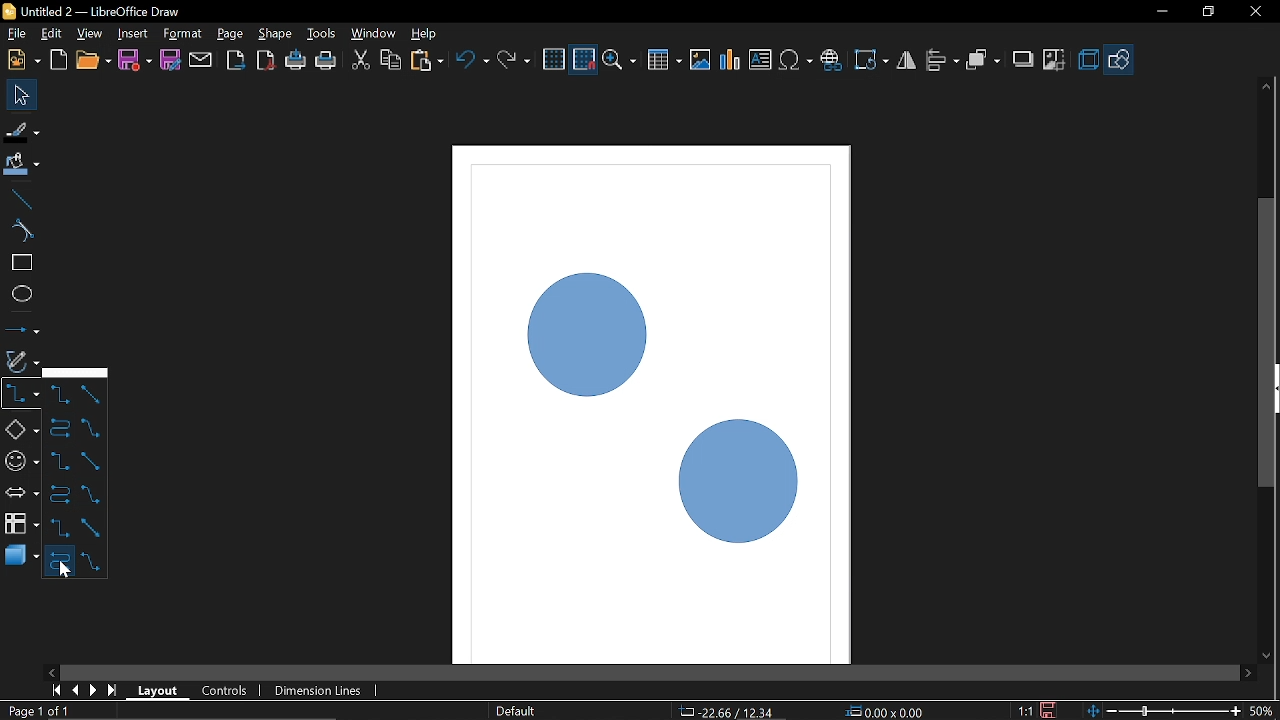 This screenshot has width=1280, height=720. What do you see at coordinates (22, 61) in the screenshot?
I see `New` at bounding box center [22, 61].